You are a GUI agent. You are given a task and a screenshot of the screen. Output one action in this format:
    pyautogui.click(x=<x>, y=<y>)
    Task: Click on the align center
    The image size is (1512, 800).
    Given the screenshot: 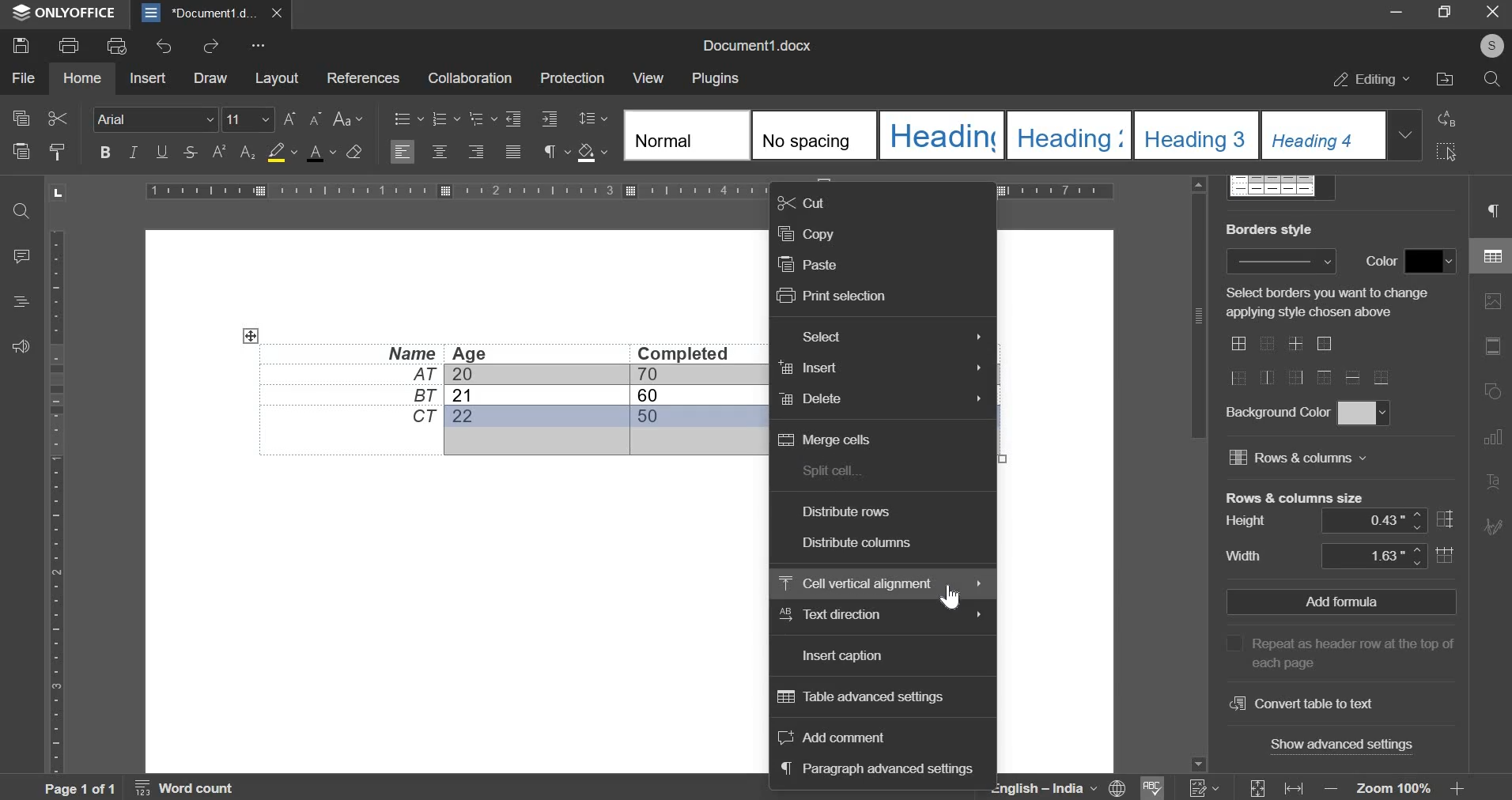 What is the action you would take?
    pyautogui.click(x=441, y=151)
    